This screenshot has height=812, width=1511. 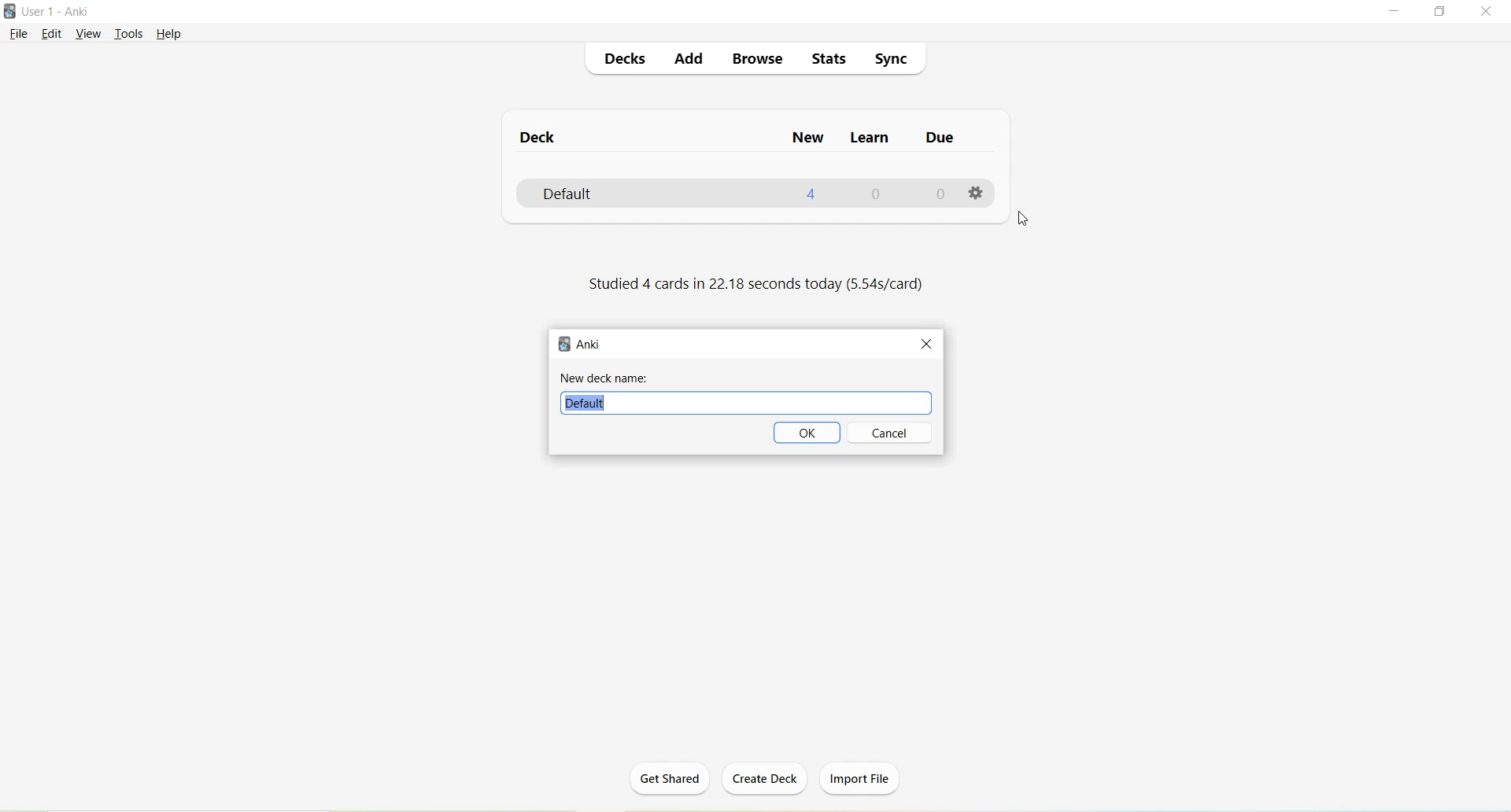 I want to click on Edit, so click(x=51, y=35).